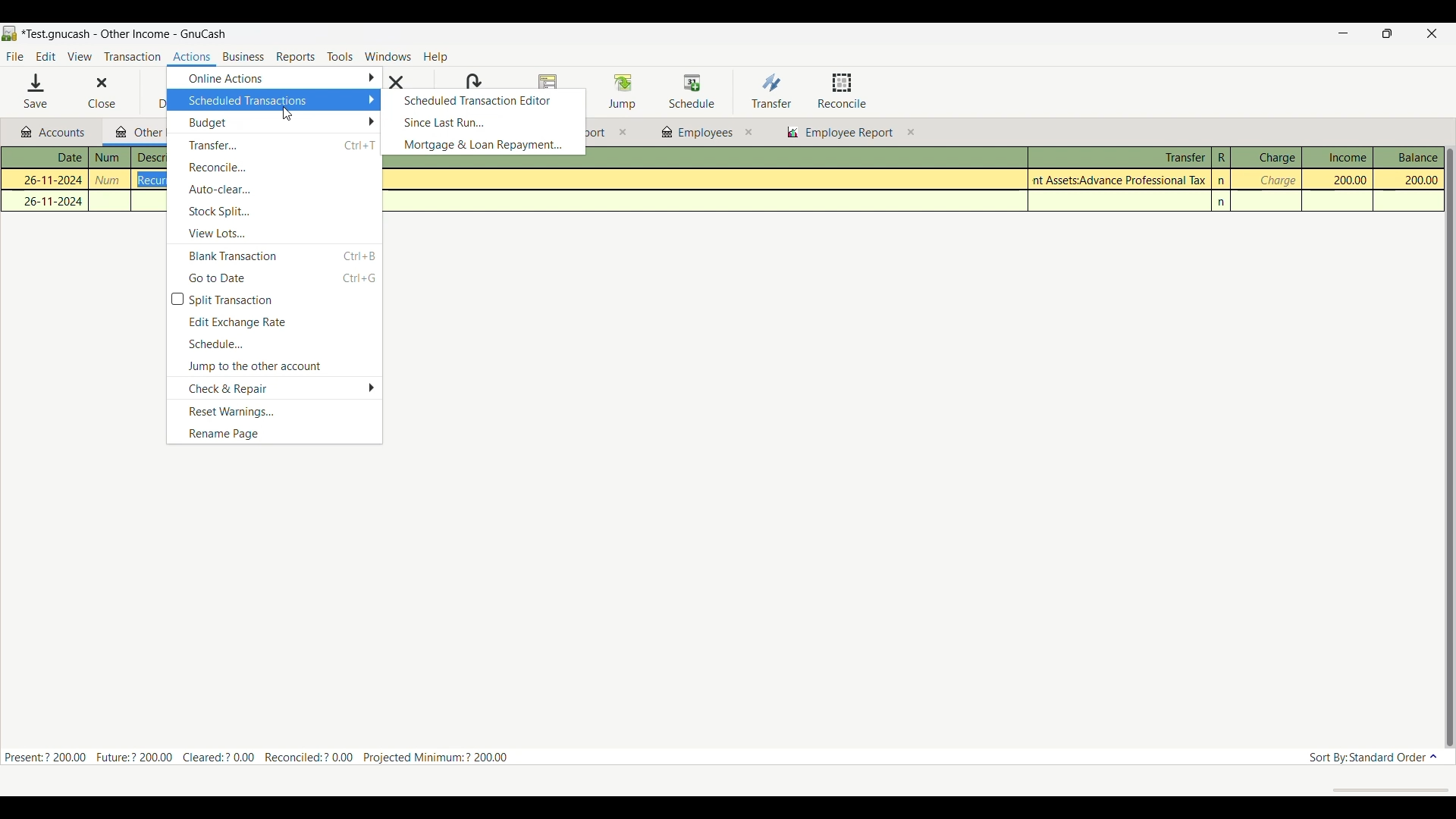 Image resolution: width=1456 pixels, height=819 pixels. I want to click on Assets:Advance Professional Tax, so click(1122, 180).